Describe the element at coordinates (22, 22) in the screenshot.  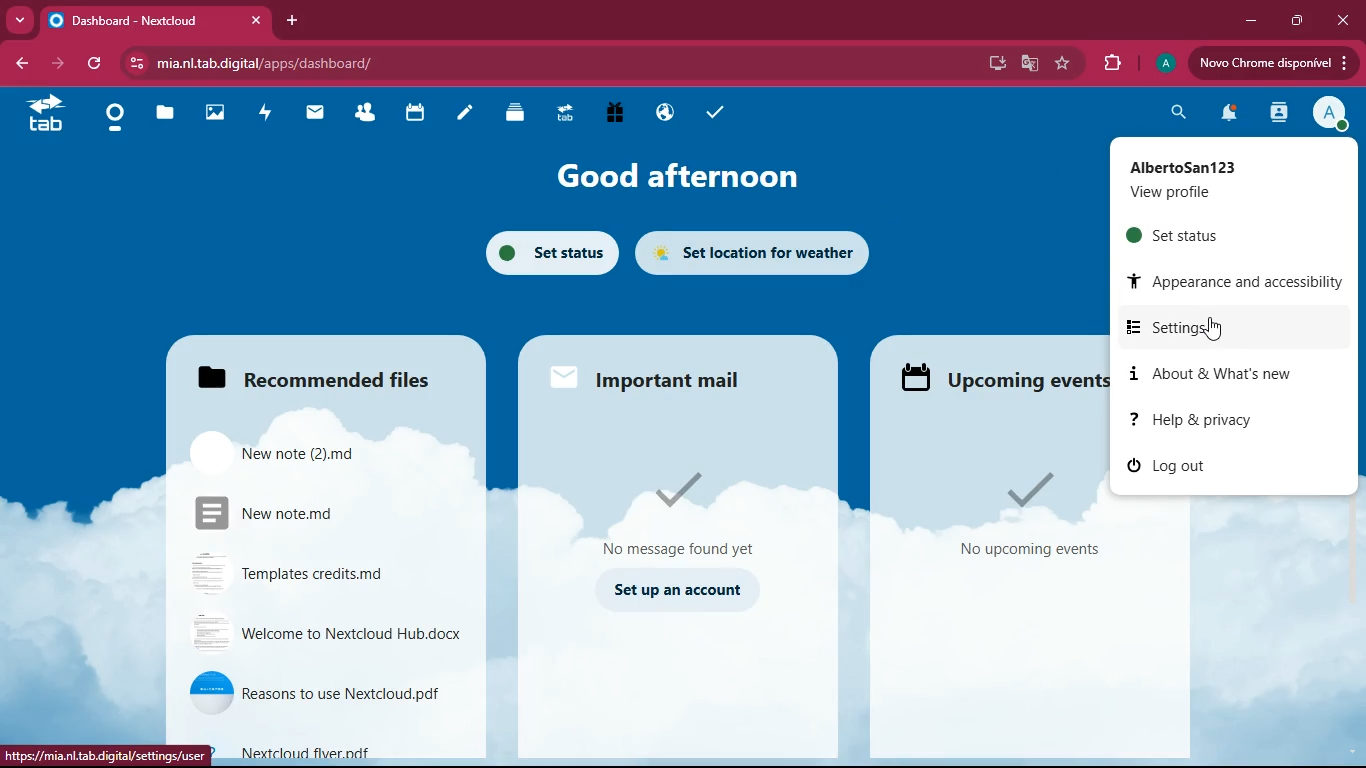
I see `more` at that location.